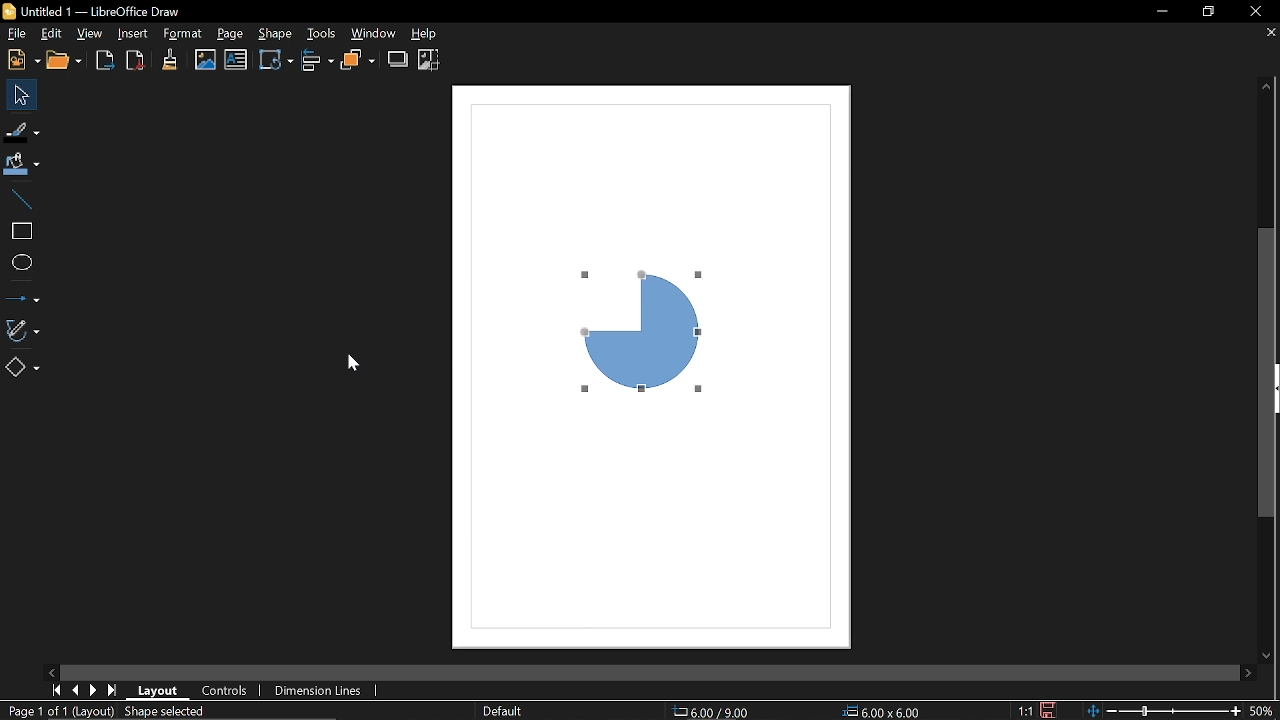 The height and width of the screenshot is (720, 1280). What do you see at coordinates (318, 690) in the screenshot?
I see `Dimension lines` at bounding box center [318, 690].